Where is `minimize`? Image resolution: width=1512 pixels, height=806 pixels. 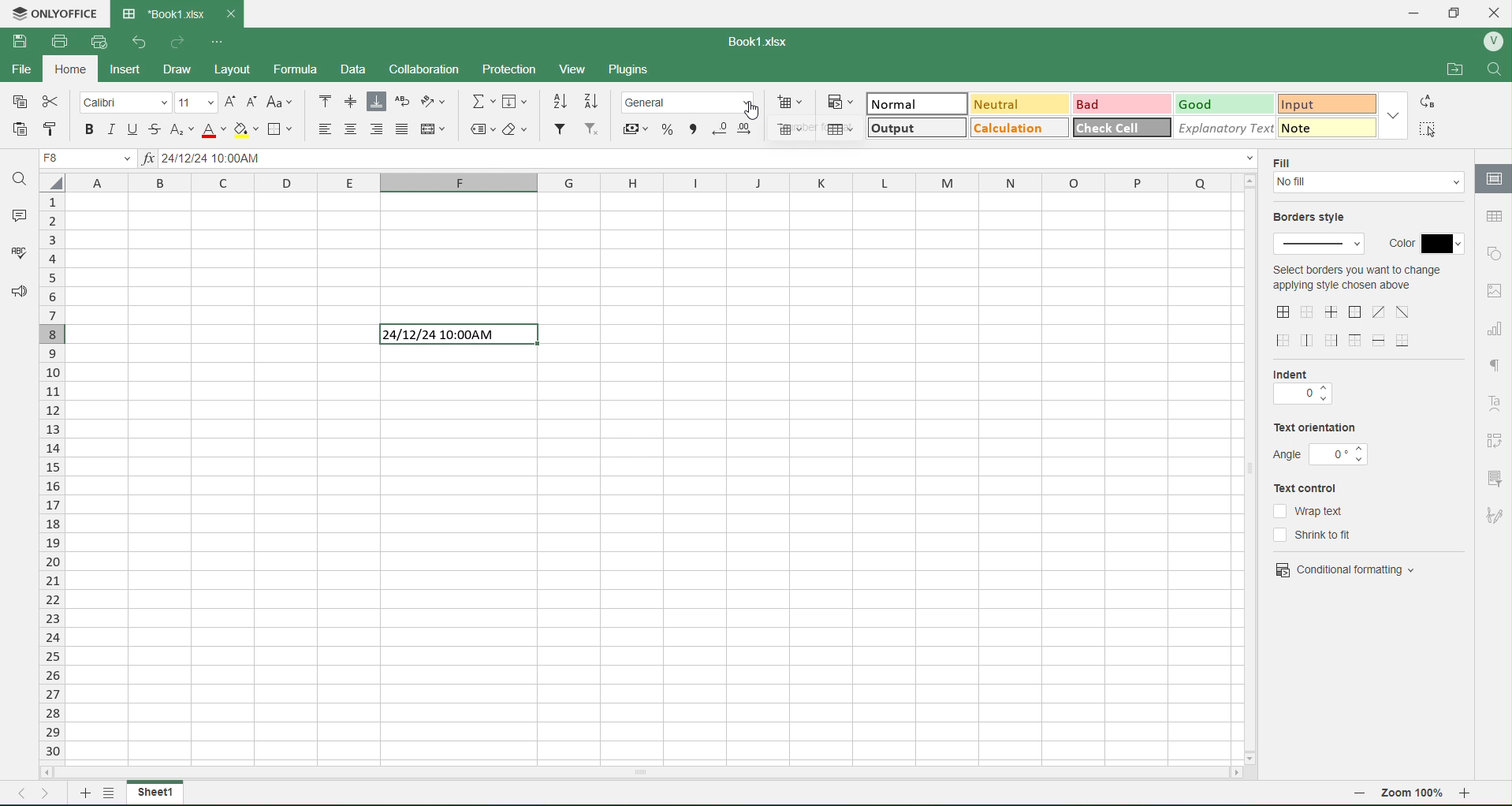
minimize is located at coordinates (1414, 13).